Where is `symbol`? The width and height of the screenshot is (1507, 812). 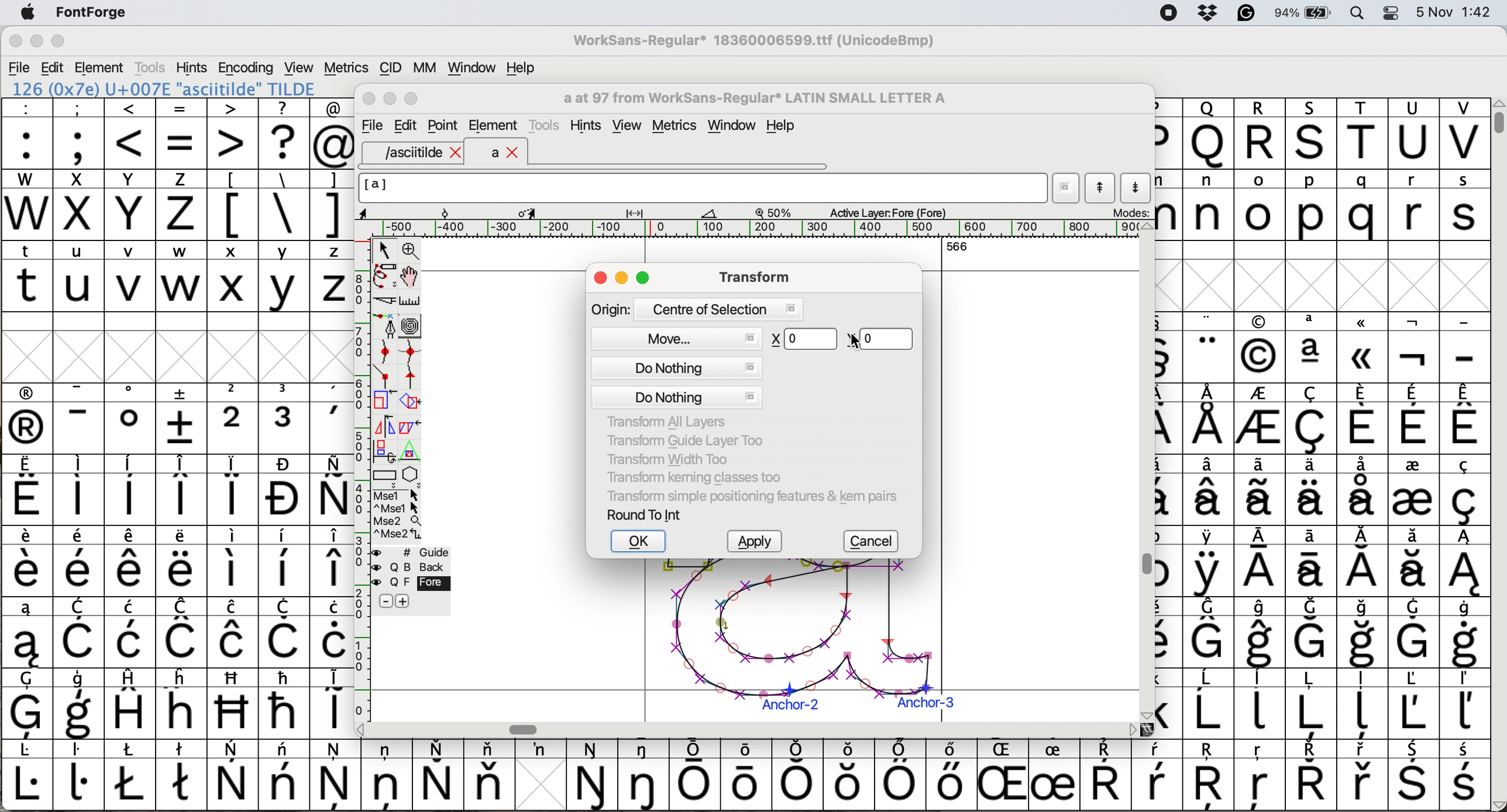 symbol is located at coordinates (1414, 776).